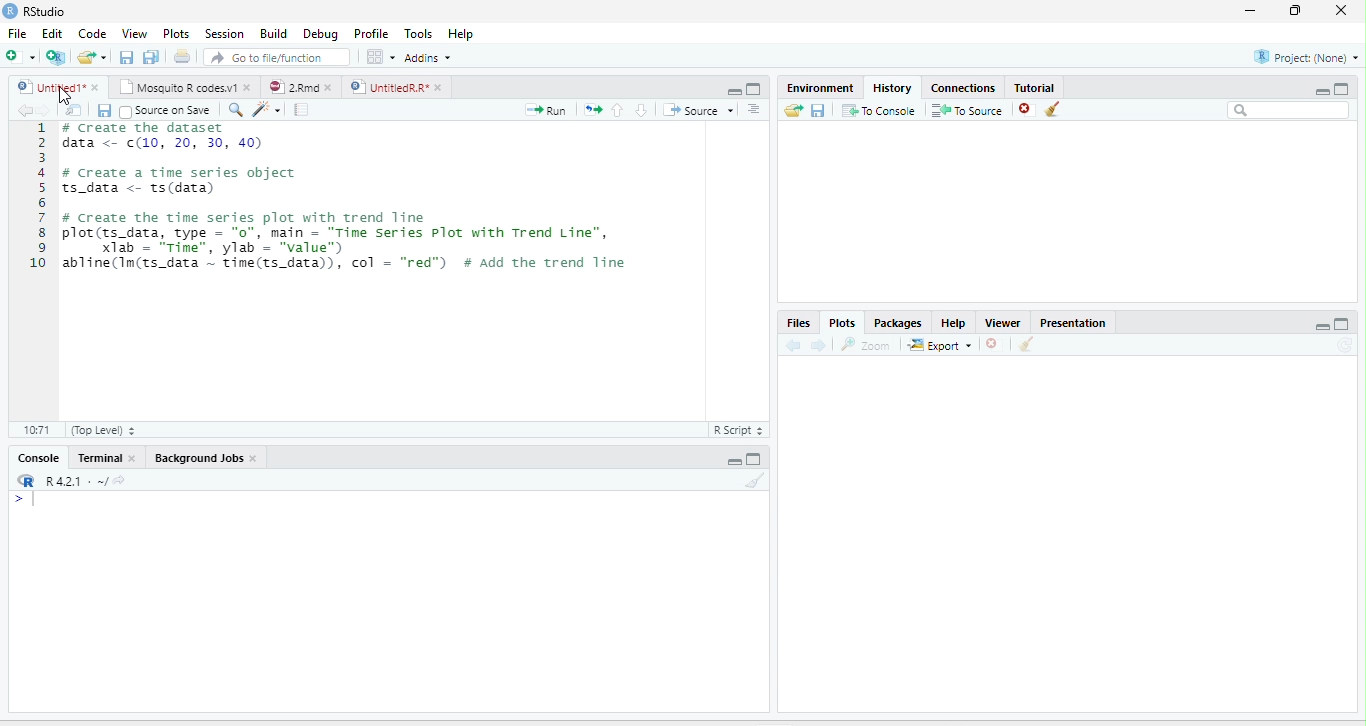 The width and height of the screenshot is (1366, 726). I want to click on Untitled1*, so click(49, 87).